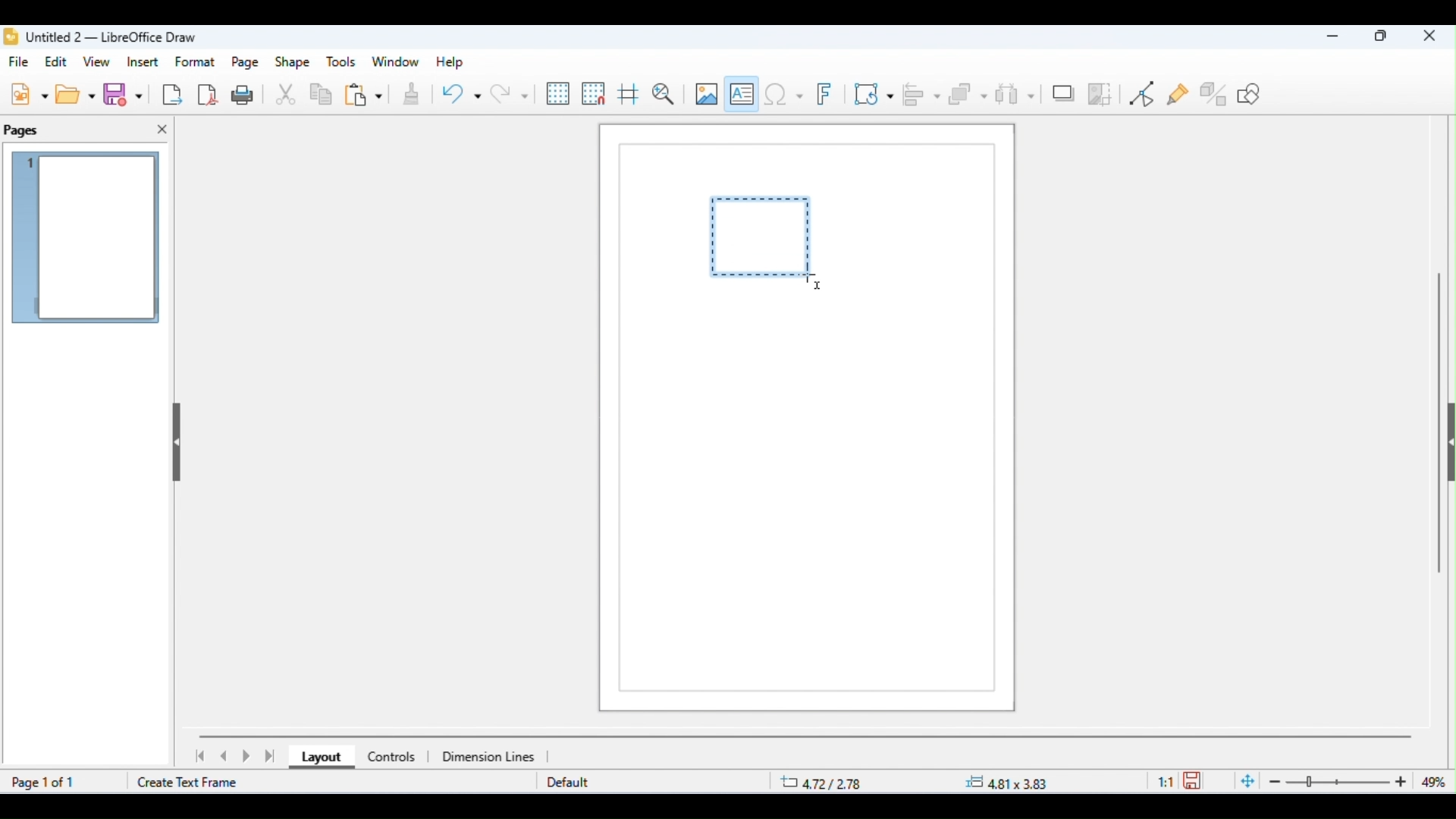 The width and height of the screenshot is (1456, 819). What do you see at coordinates (87, 240) in the screenshot?
I see `current page ` at bounding box center [87, 240].